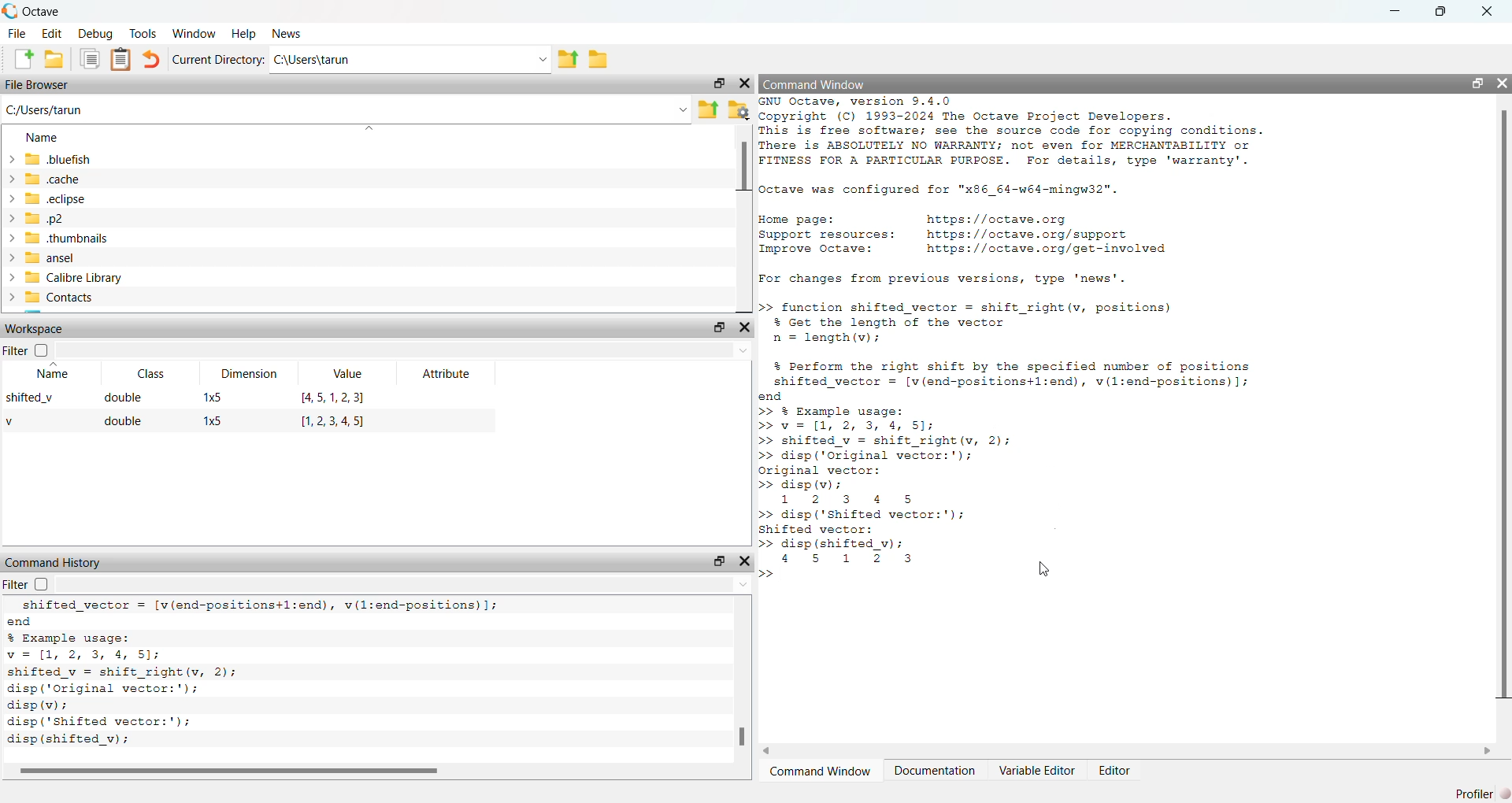  Describe the element at coordinates (982, 237) in the screenshot. I see `resource links of octave` at that location.